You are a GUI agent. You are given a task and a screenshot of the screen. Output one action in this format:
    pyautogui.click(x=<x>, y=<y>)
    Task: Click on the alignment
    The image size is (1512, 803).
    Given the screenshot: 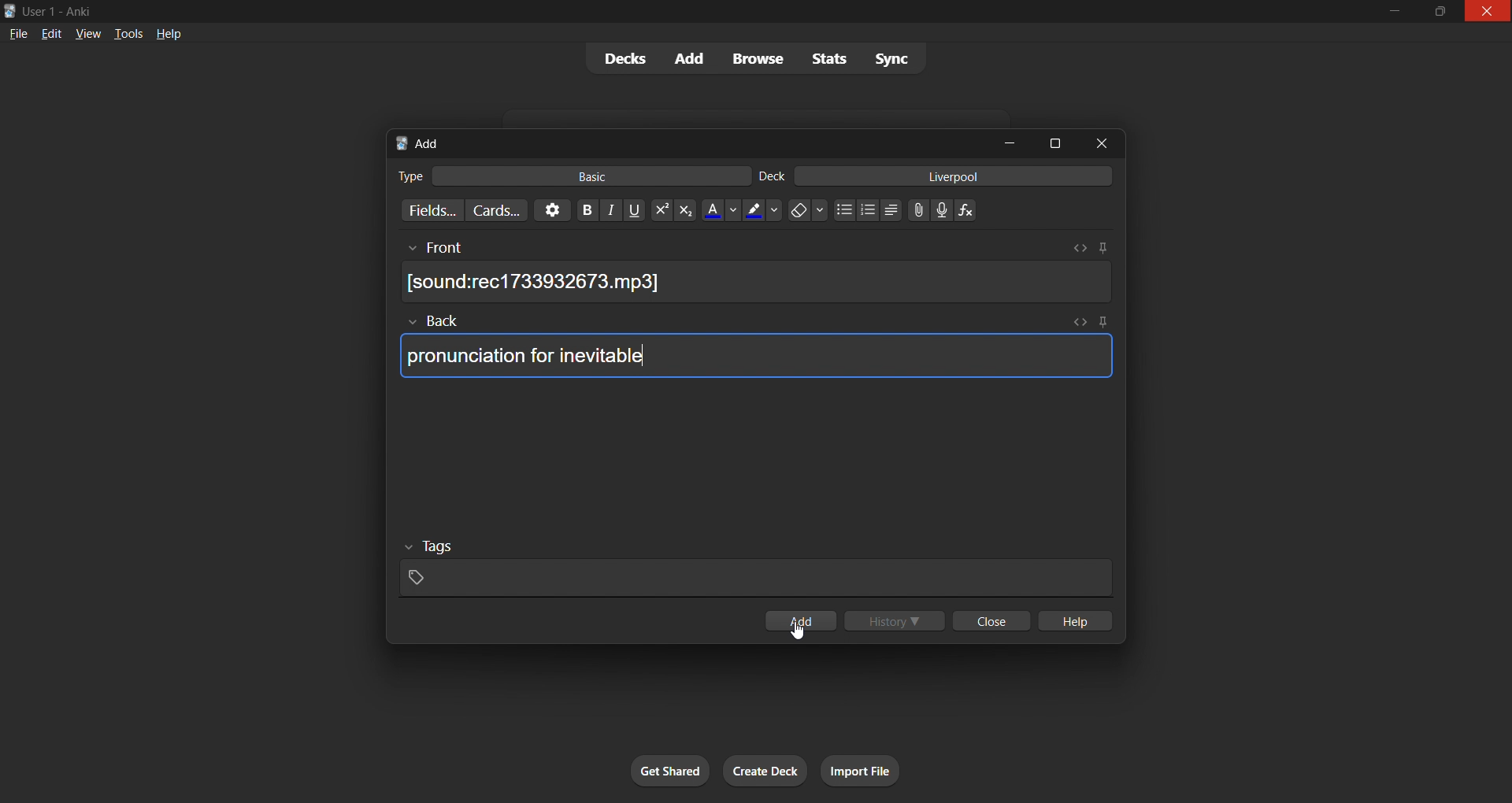 What is the action you would take?
    pyautogui.click(x=893, y=209)
    